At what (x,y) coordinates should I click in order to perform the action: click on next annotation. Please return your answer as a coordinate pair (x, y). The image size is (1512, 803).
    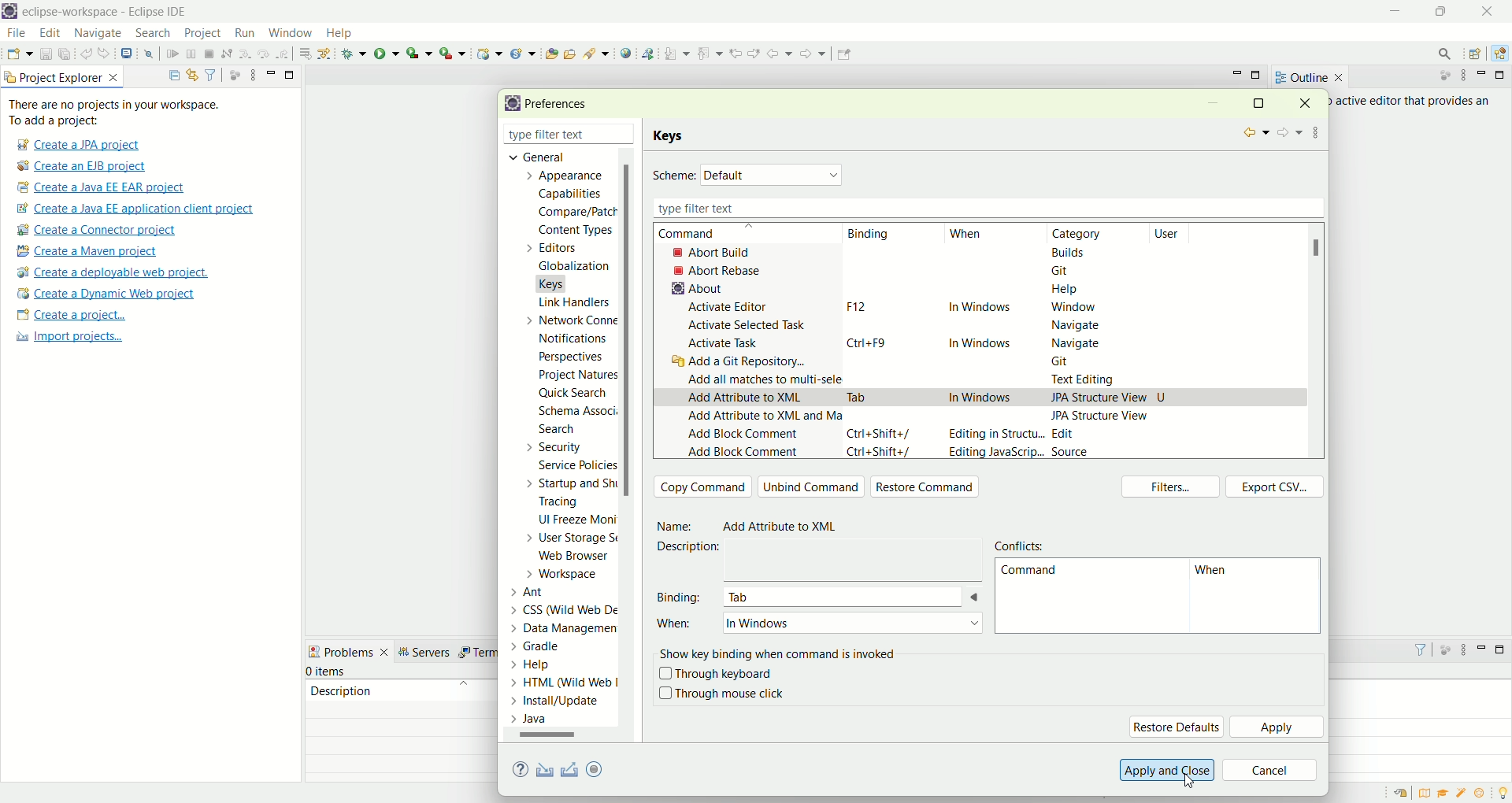
    Looking at the image, I should click on (677, 54).